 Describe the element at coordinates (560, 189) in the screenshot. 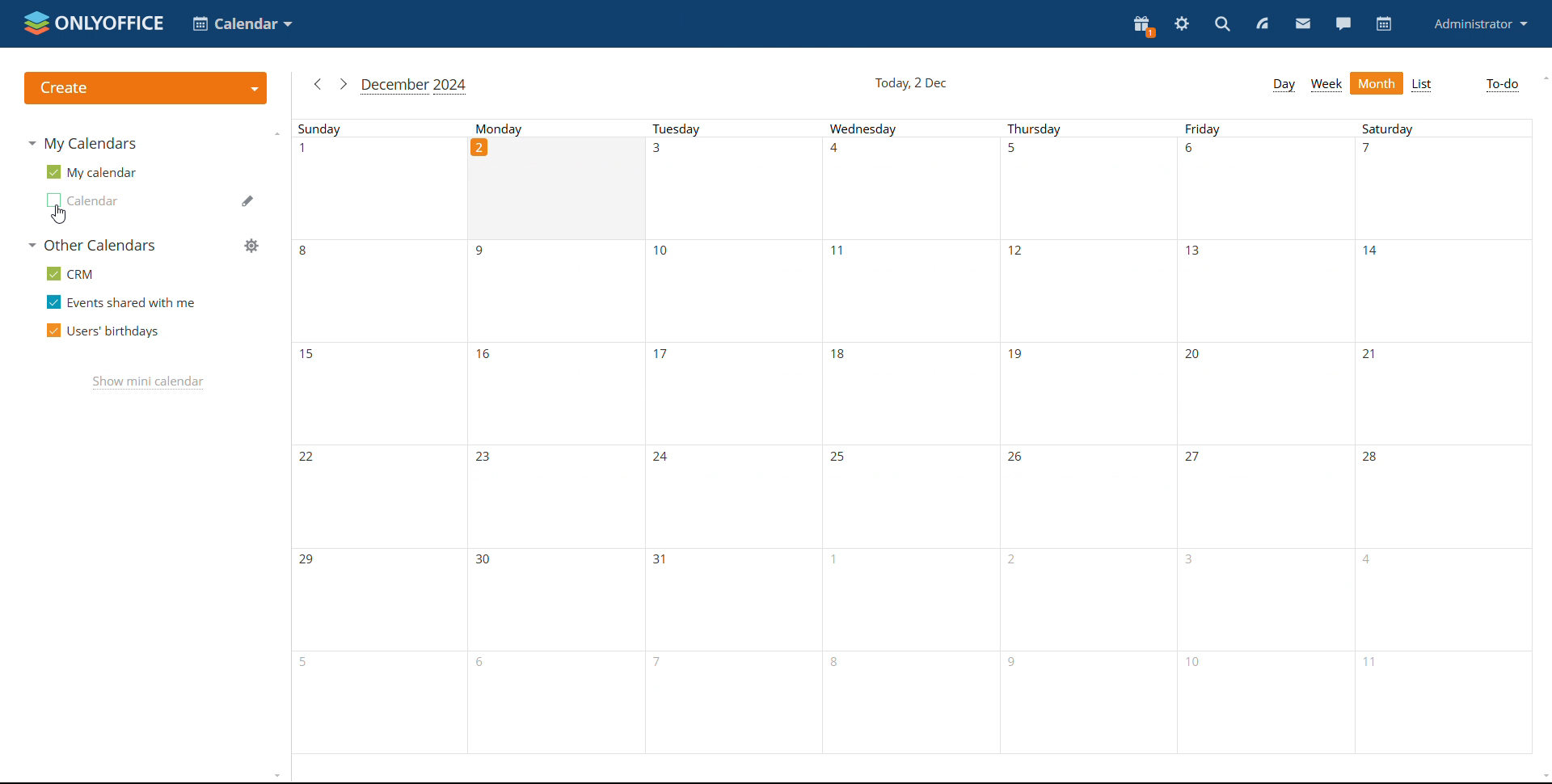

I see `2` at that location.